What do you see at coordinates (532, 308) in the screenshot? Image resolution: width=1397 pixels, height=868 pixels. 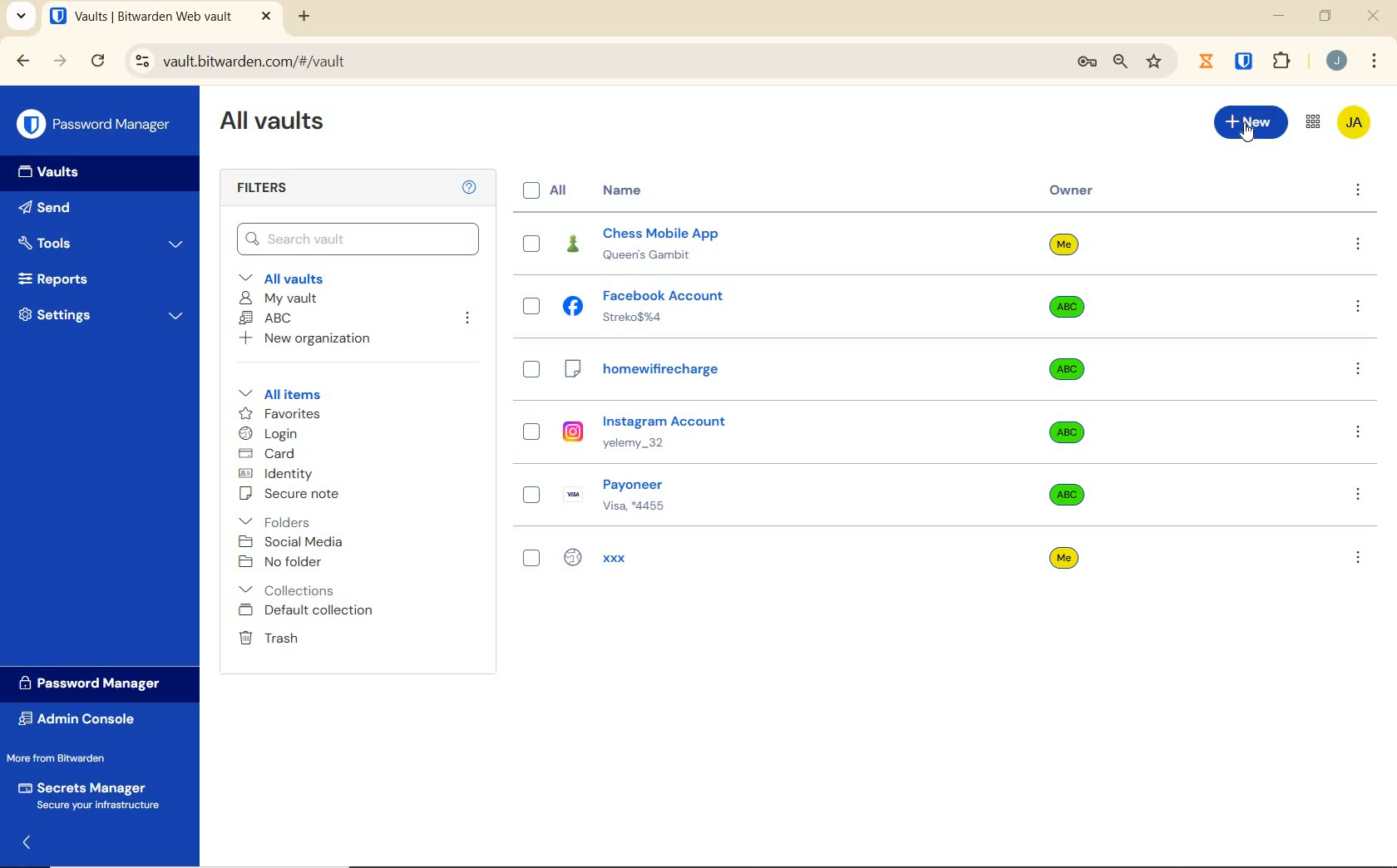 I see `select entry` at bounding box center [532, 308].